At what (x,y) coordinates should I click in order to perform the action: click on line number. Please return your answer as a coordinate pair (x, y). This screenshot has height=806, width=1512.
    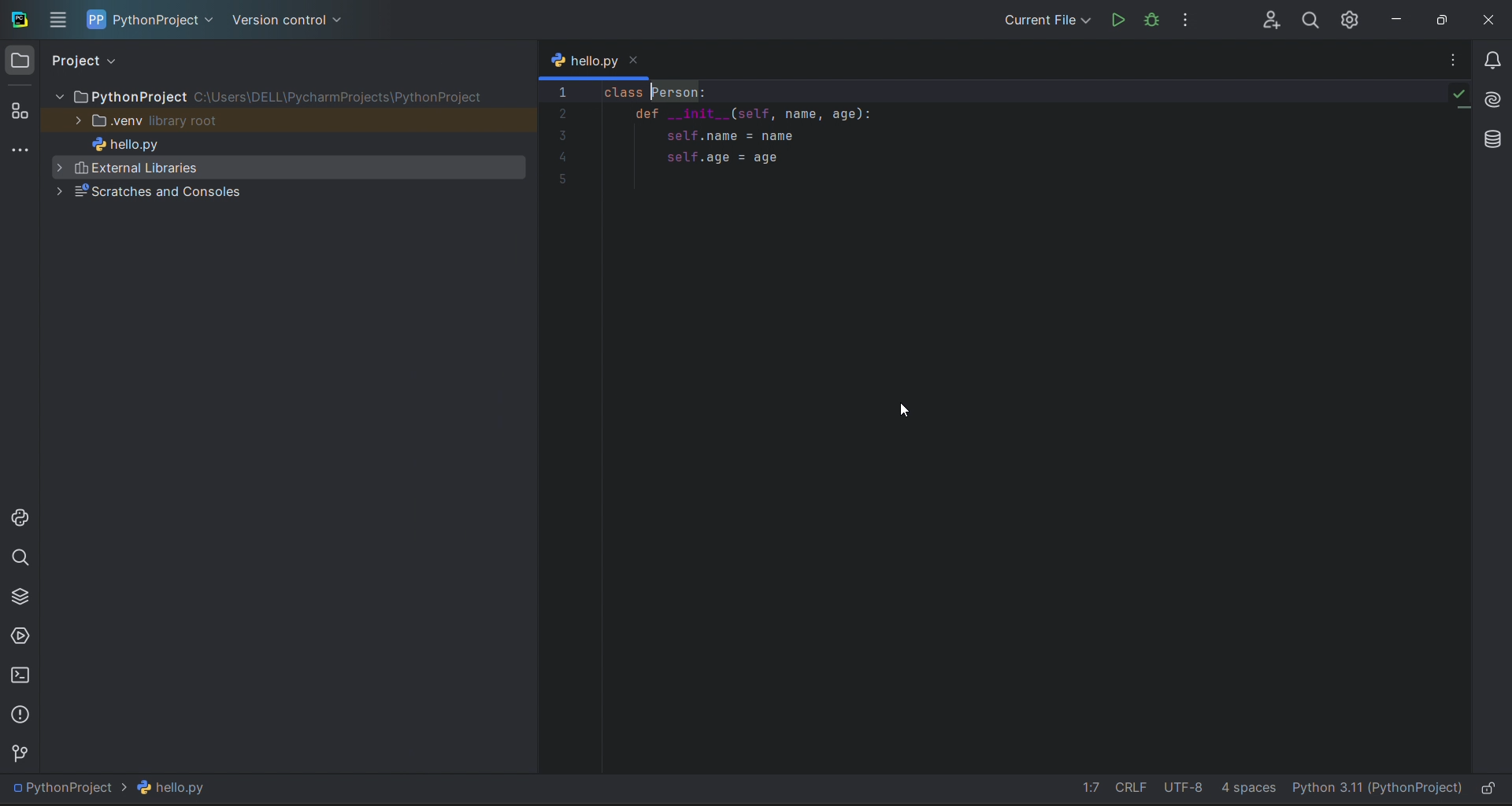
    Looking at the image, I should click on (561, 427).